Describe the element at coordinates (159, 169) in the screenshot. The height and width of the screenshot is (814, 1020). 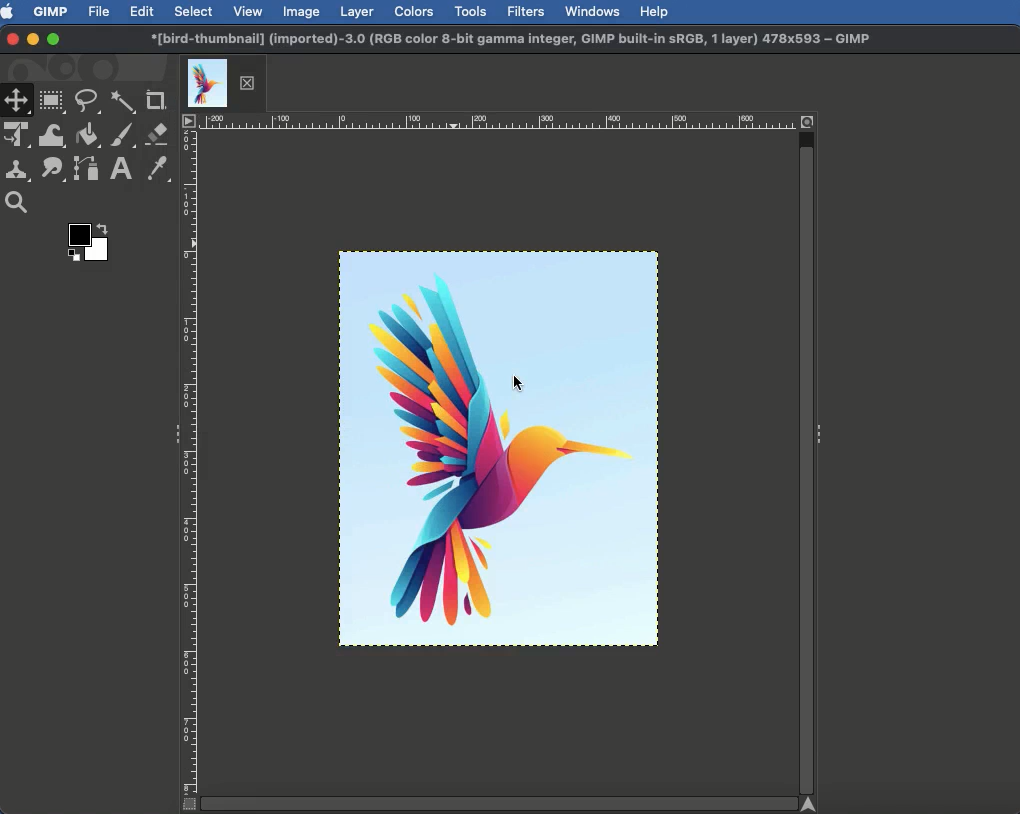
I see `Color picker` at that location.